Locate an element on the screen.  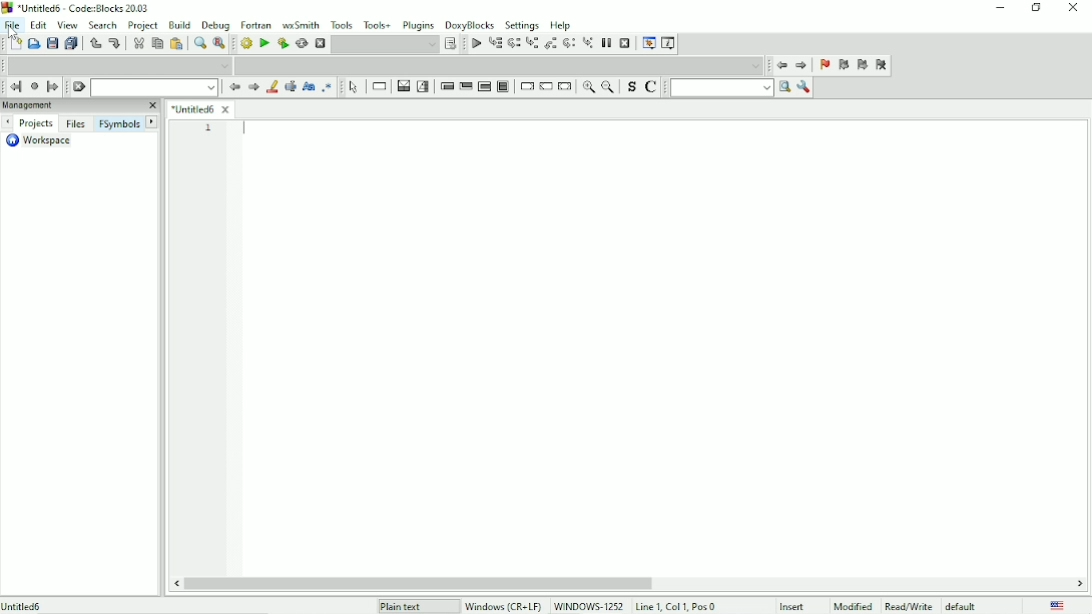
Highlight is located at coordinates (273, 87).